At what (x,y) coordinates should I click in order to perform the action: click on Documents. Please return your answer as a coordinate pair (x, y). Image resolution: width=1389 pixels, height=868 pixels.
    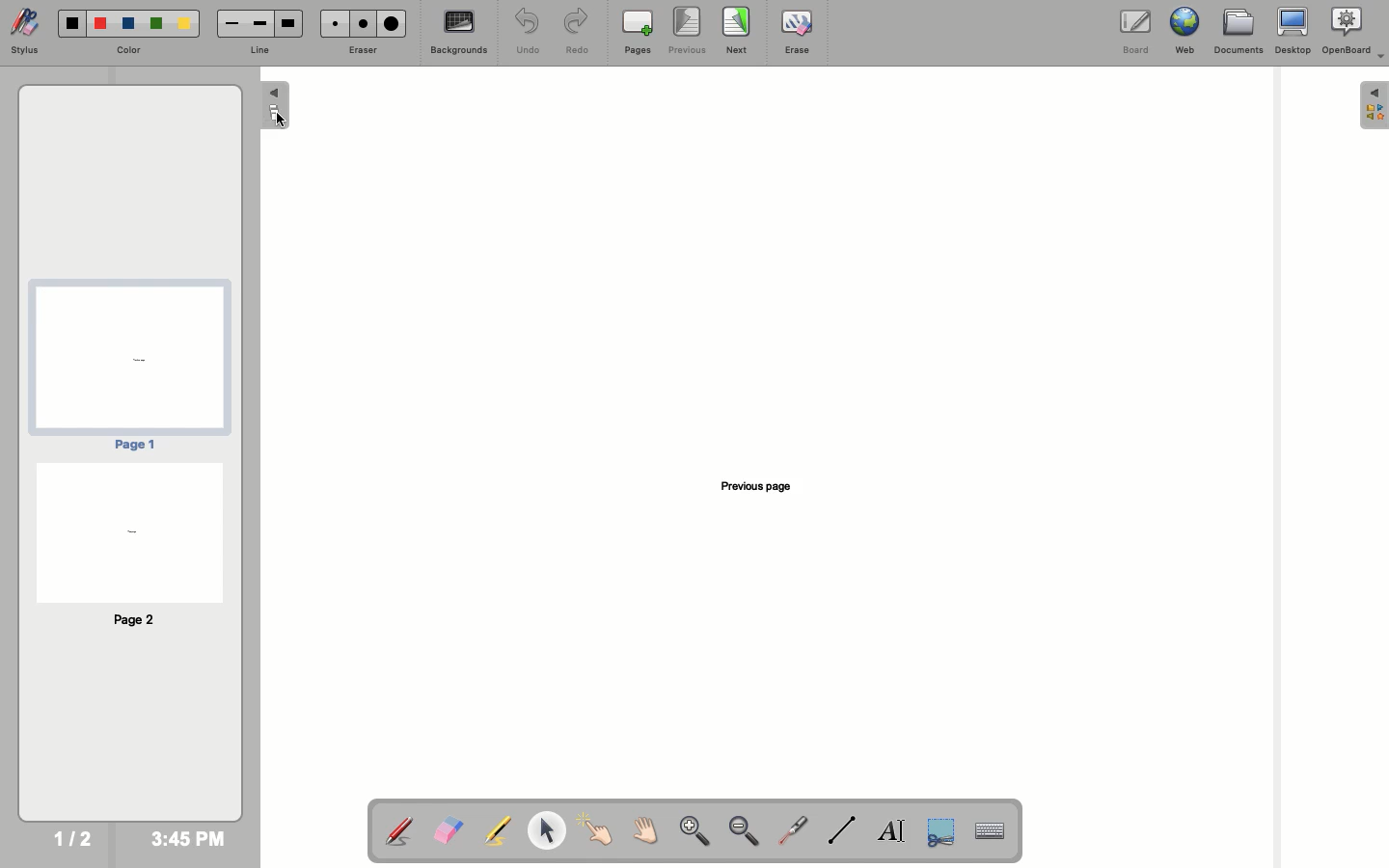
    Looking at the image, I should click on (1237, 32).